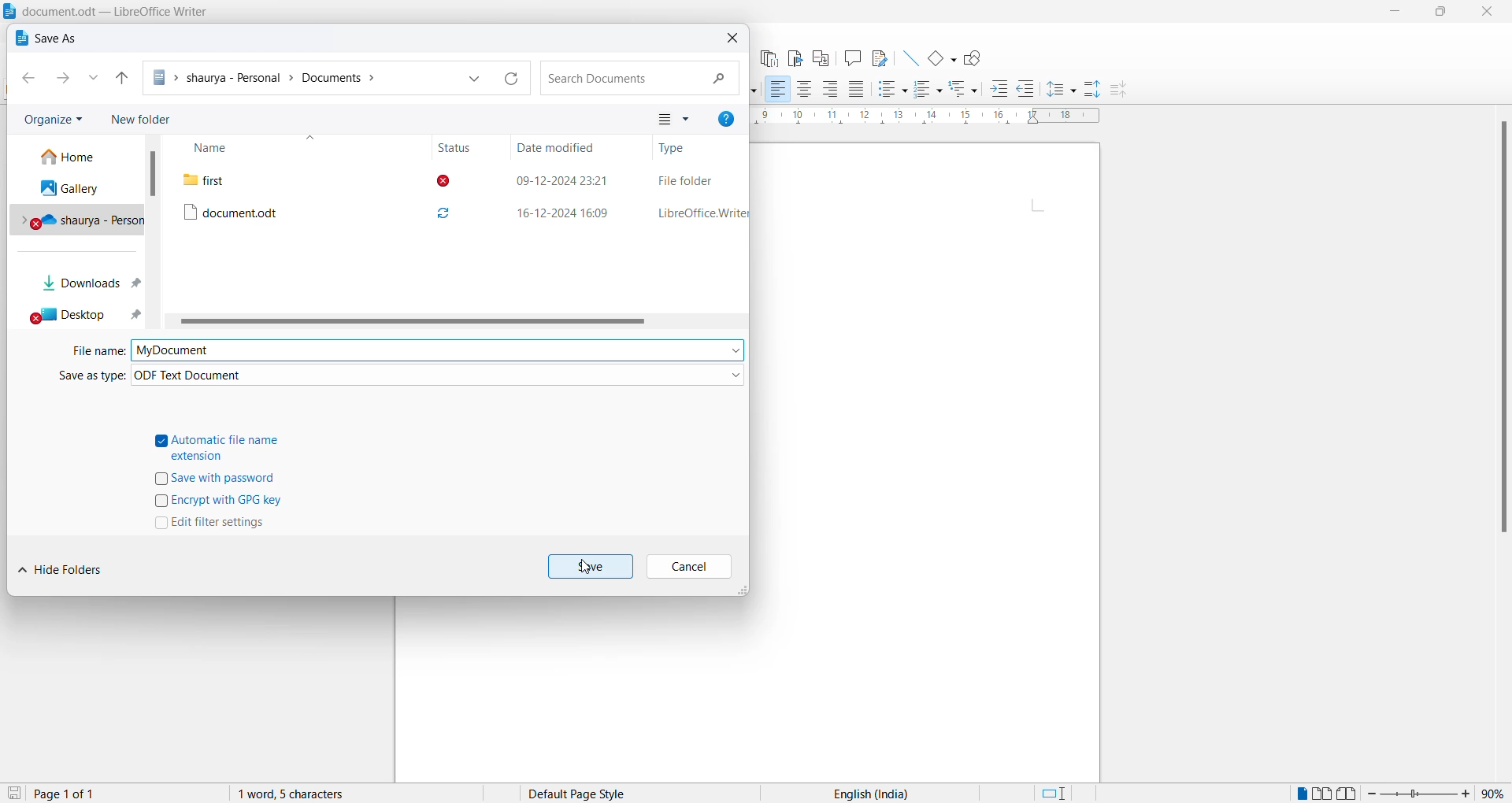 This screenshot has height=803, width=1512. I want to click on Date modified, so click(561, 148).